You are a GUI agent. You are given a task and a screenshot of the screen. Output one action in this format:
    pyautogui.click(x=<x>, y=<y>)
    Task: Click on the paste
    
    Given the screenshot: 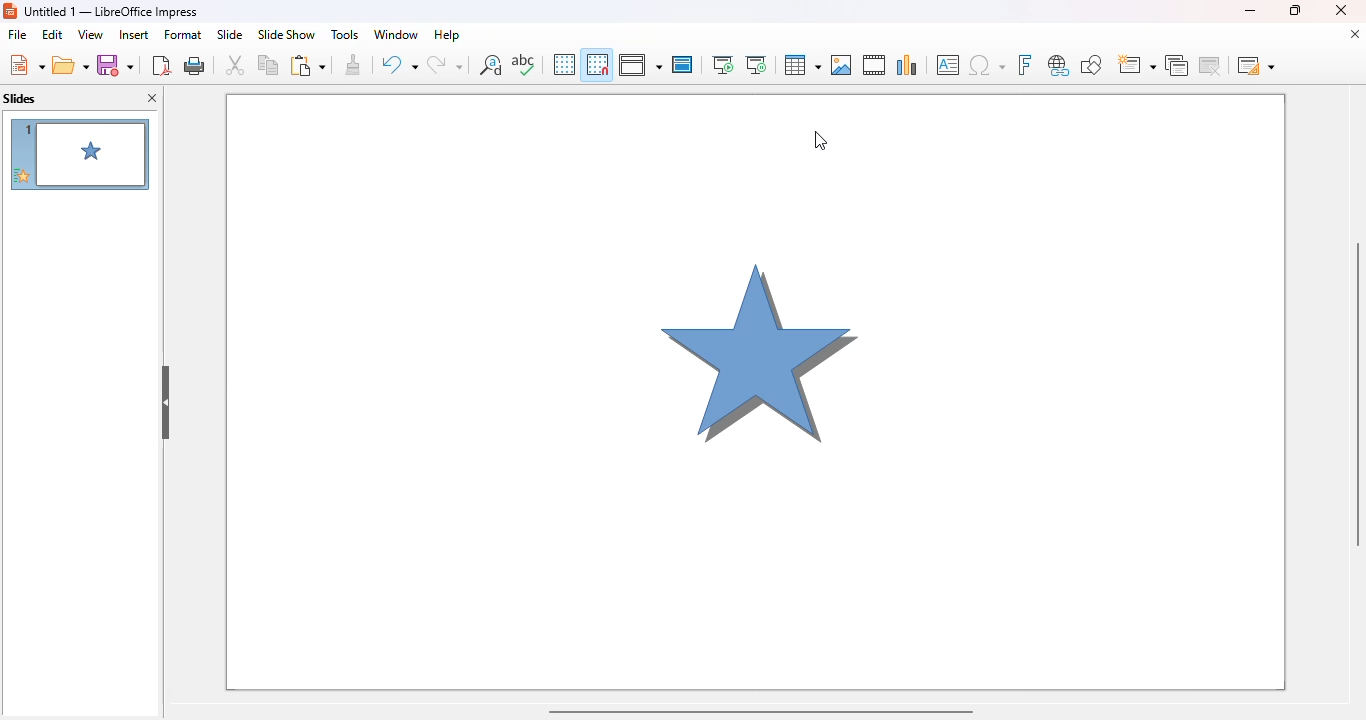 What is the action you would take?
    pyautogui.click(x=307, y=65)
    